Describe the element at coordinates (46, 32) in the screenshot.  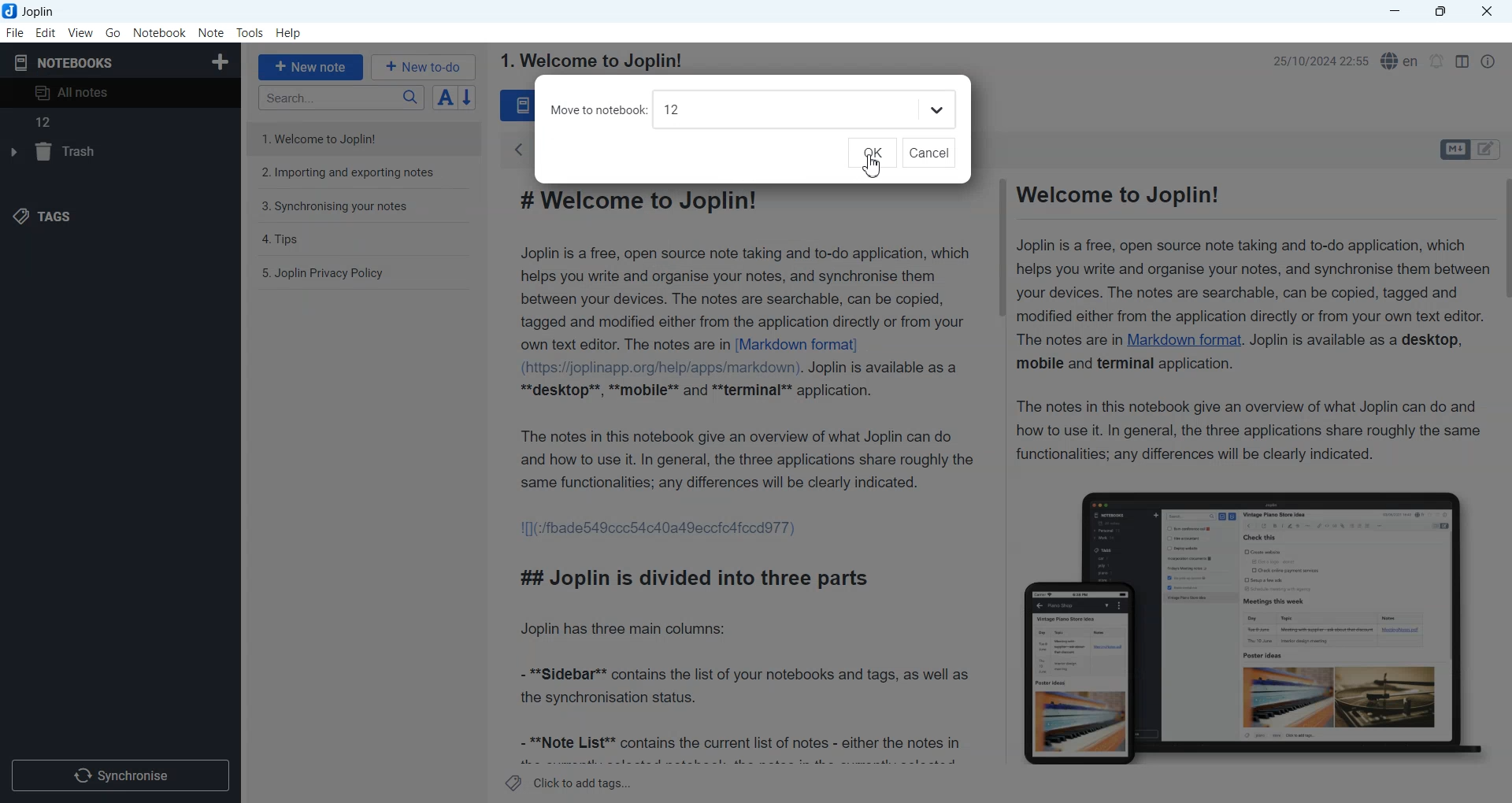
I see `Edit` at that location.